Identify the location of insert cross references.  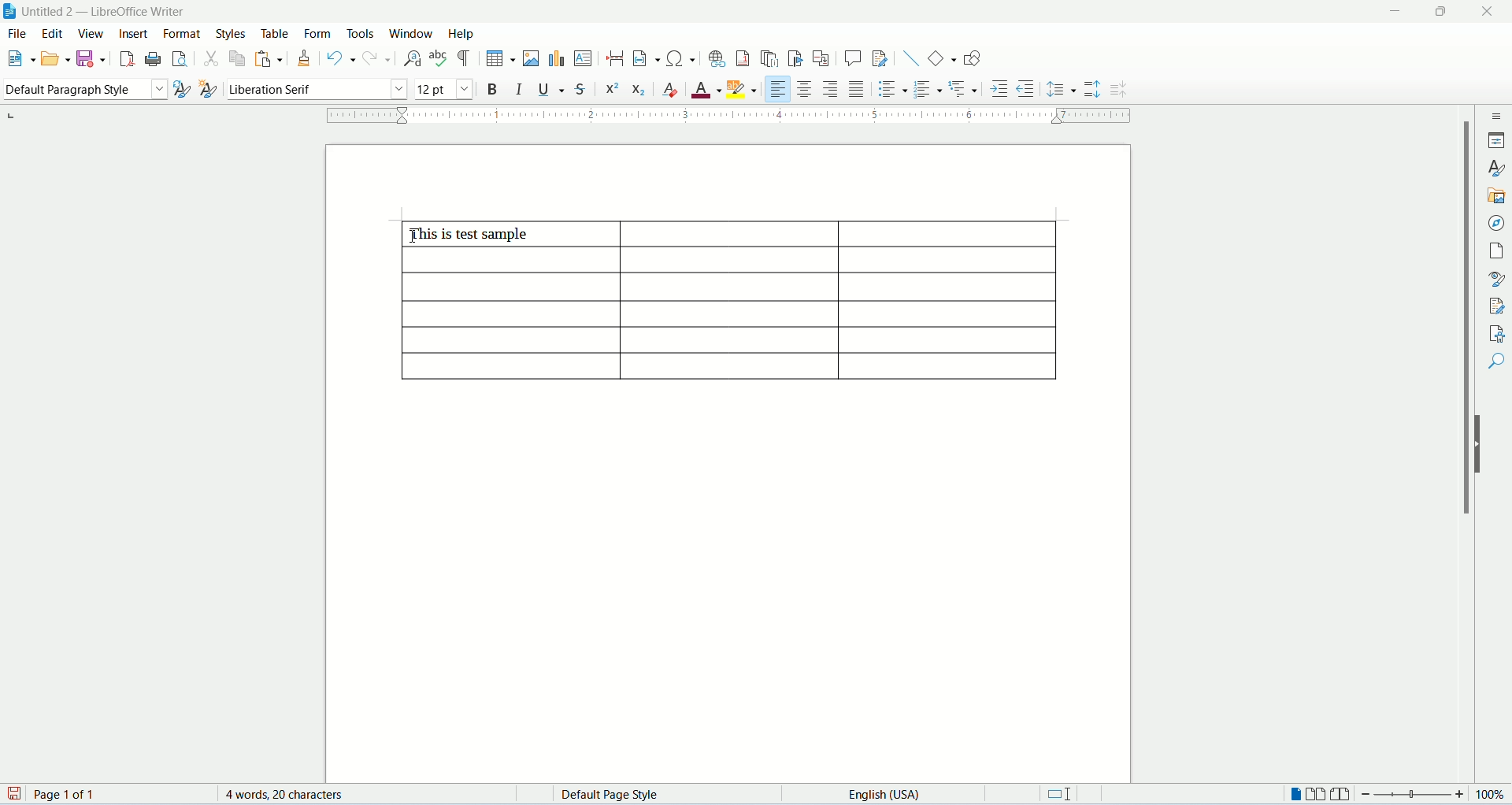
(822, 58).